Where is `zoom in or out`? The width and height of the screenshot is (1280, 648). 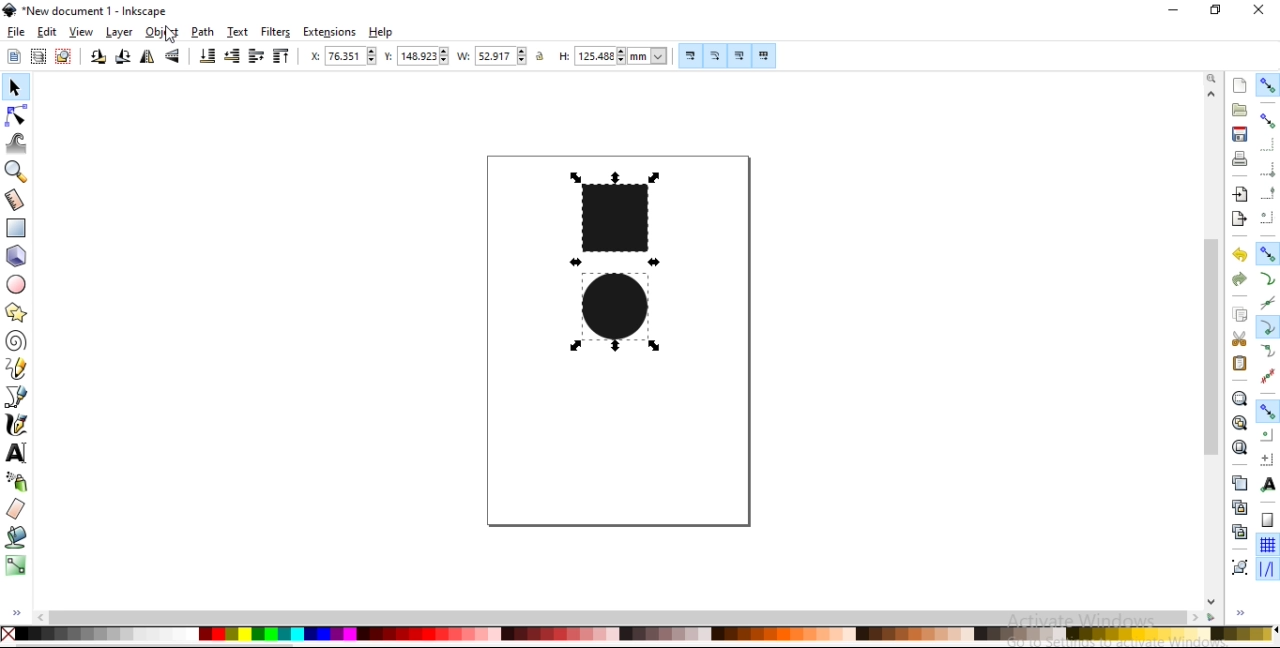 zoom in or out is located at coordinates (14, 174).